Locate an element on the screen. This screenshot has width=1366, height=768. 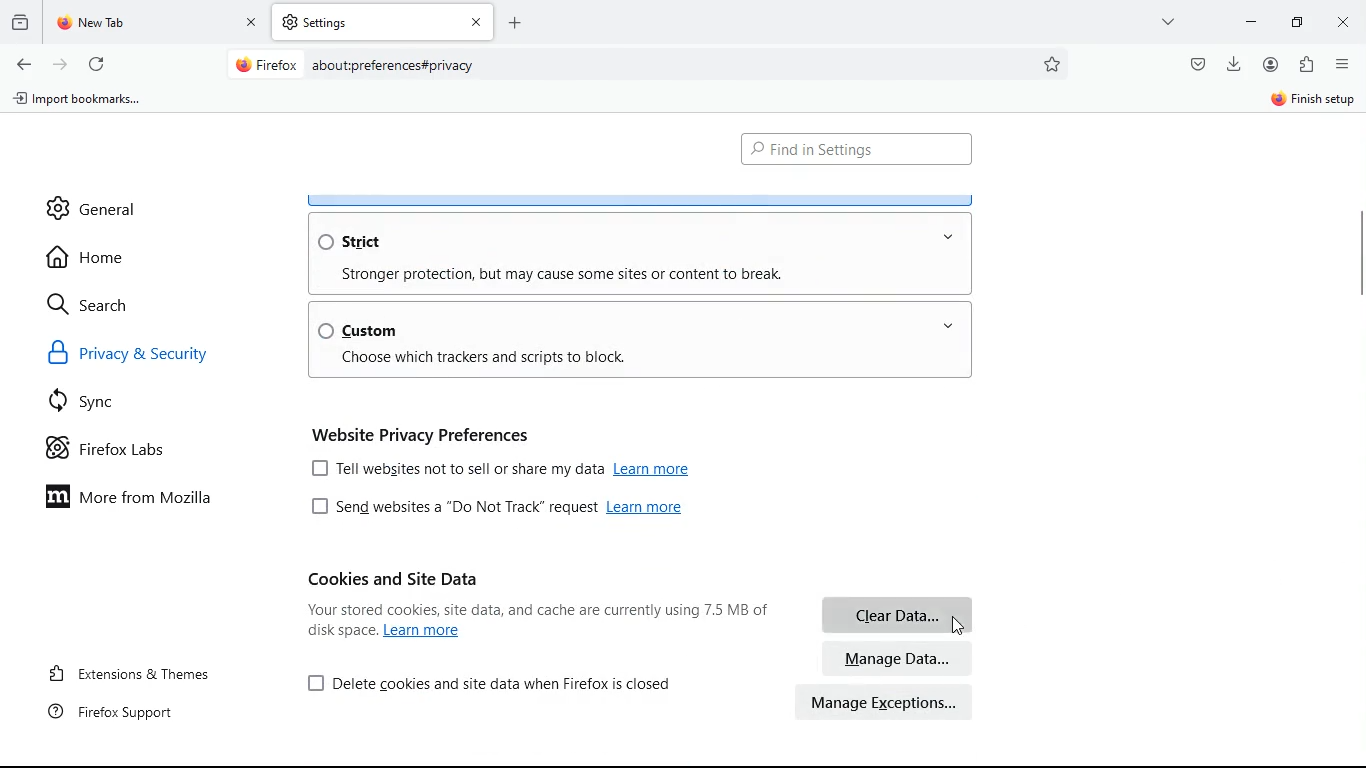
custom is located at coordinates (362, 330).